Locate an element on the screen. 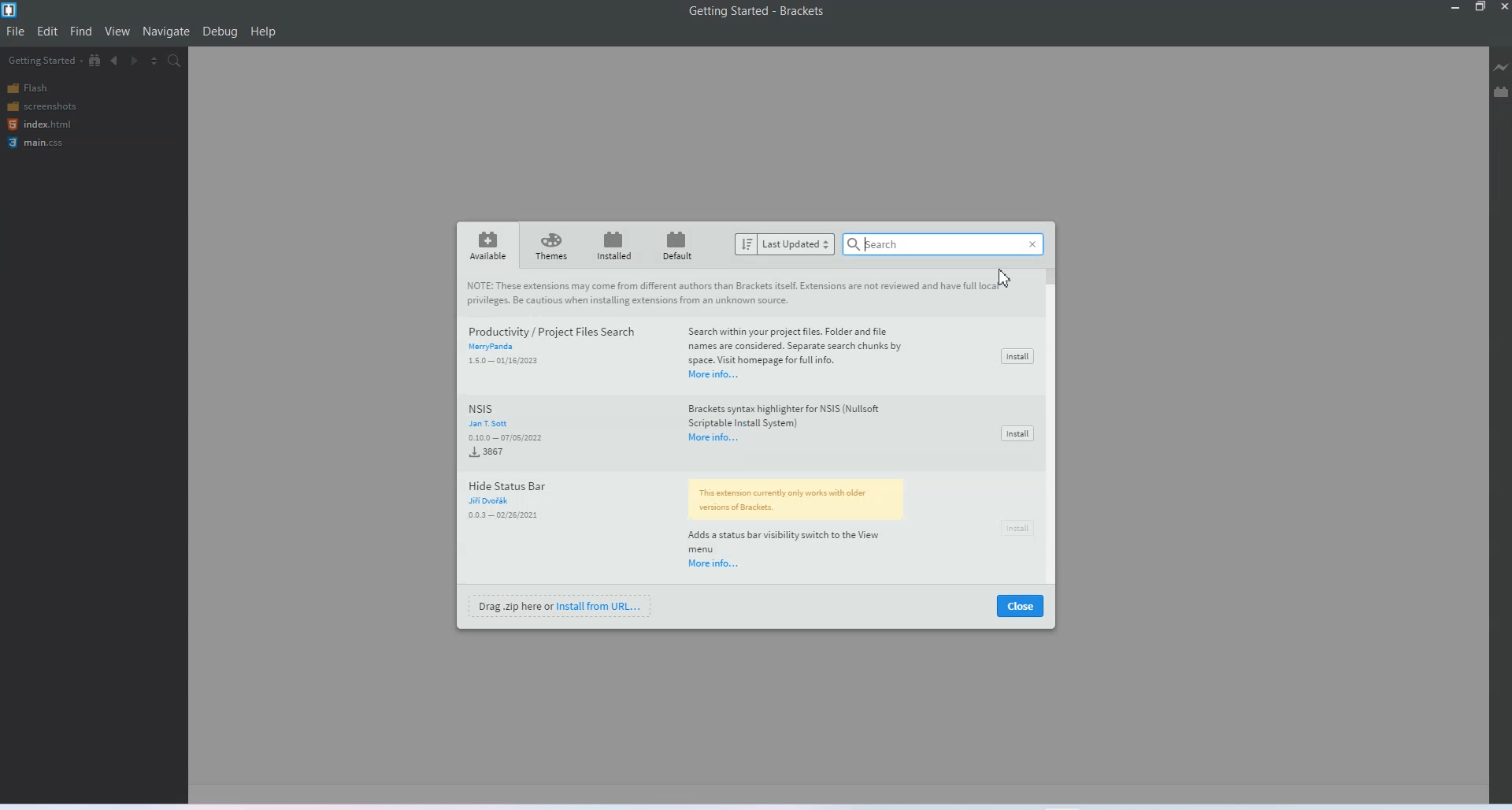  Getting Started is located at coordinates (43, 60).